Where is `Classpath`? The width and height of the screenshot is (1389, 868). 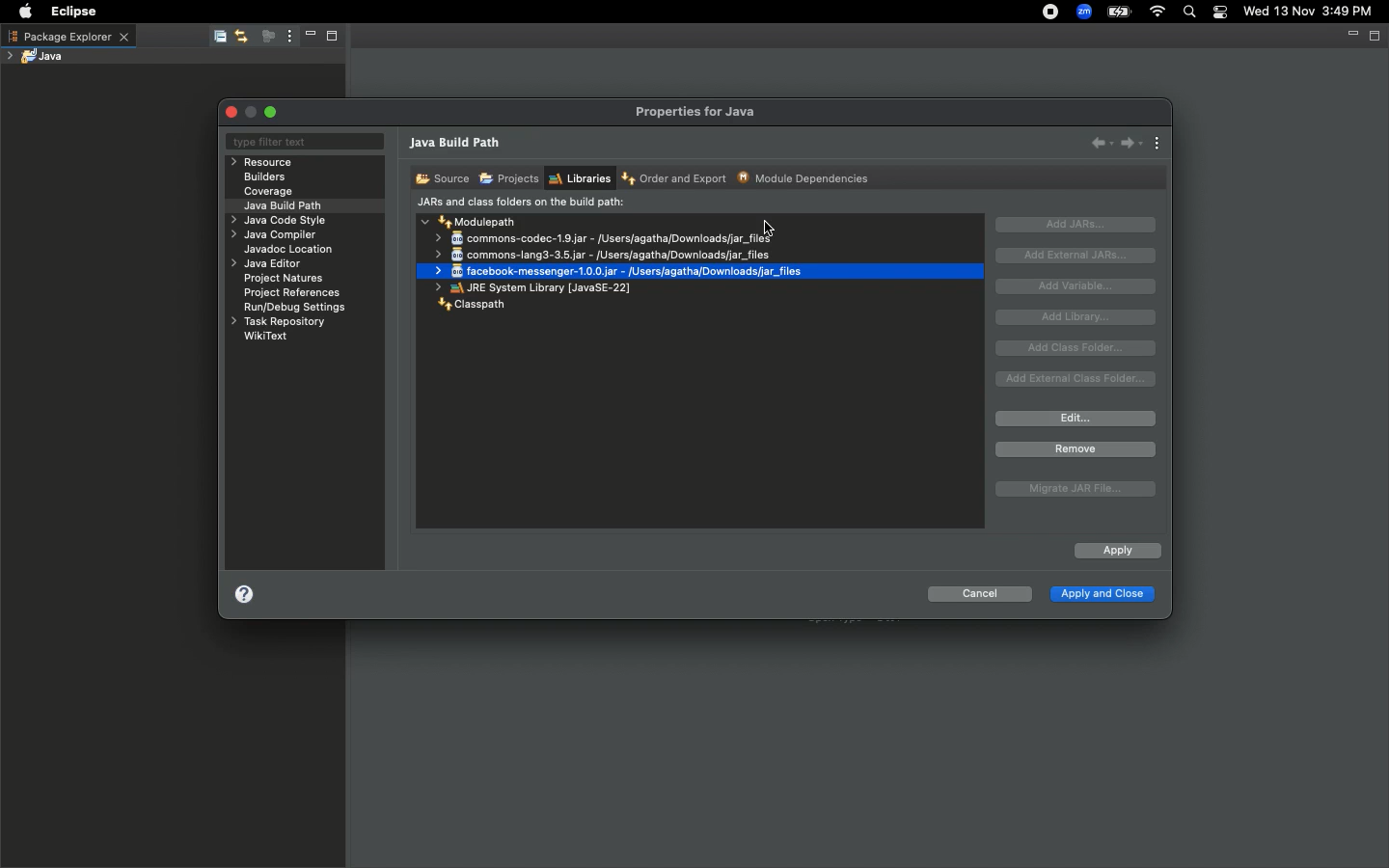
Classpath is located at coordinates (468, 306).